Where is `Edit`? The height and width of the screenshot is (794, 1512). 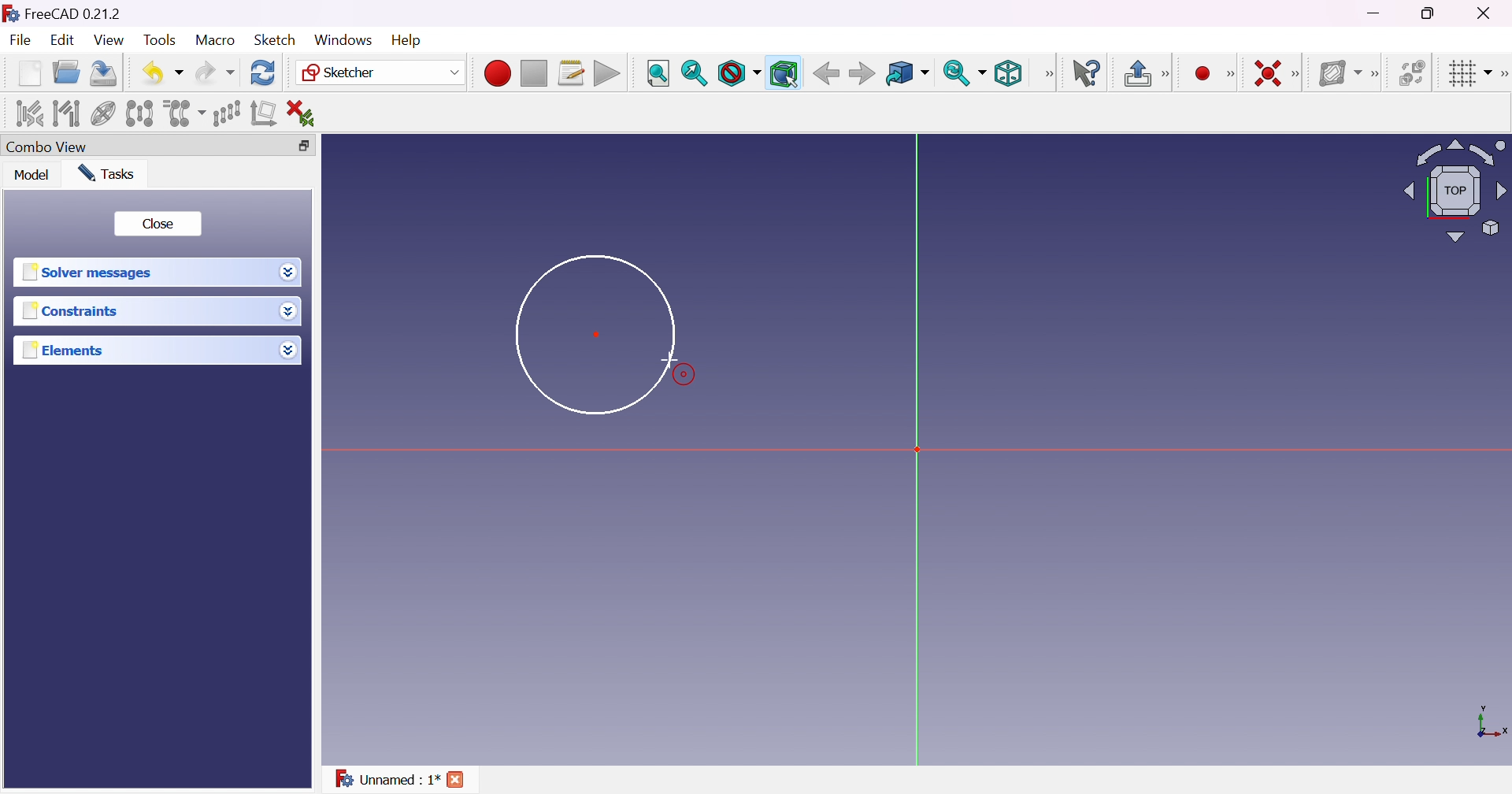
Edit is located at coordinates (61, 42).